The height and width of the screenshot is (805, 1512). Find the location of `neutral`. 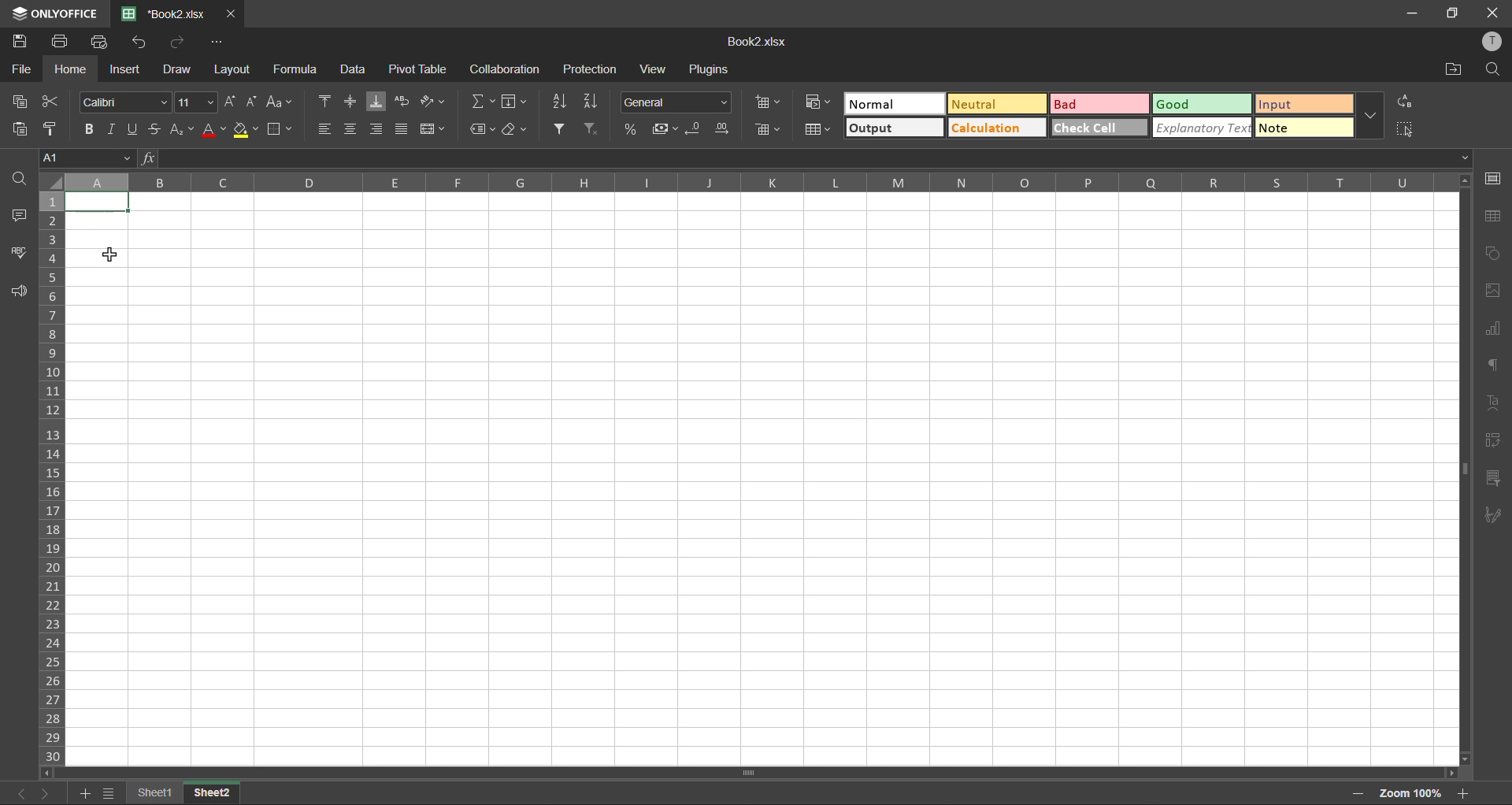

neutral is located at coordinates (996, 105).